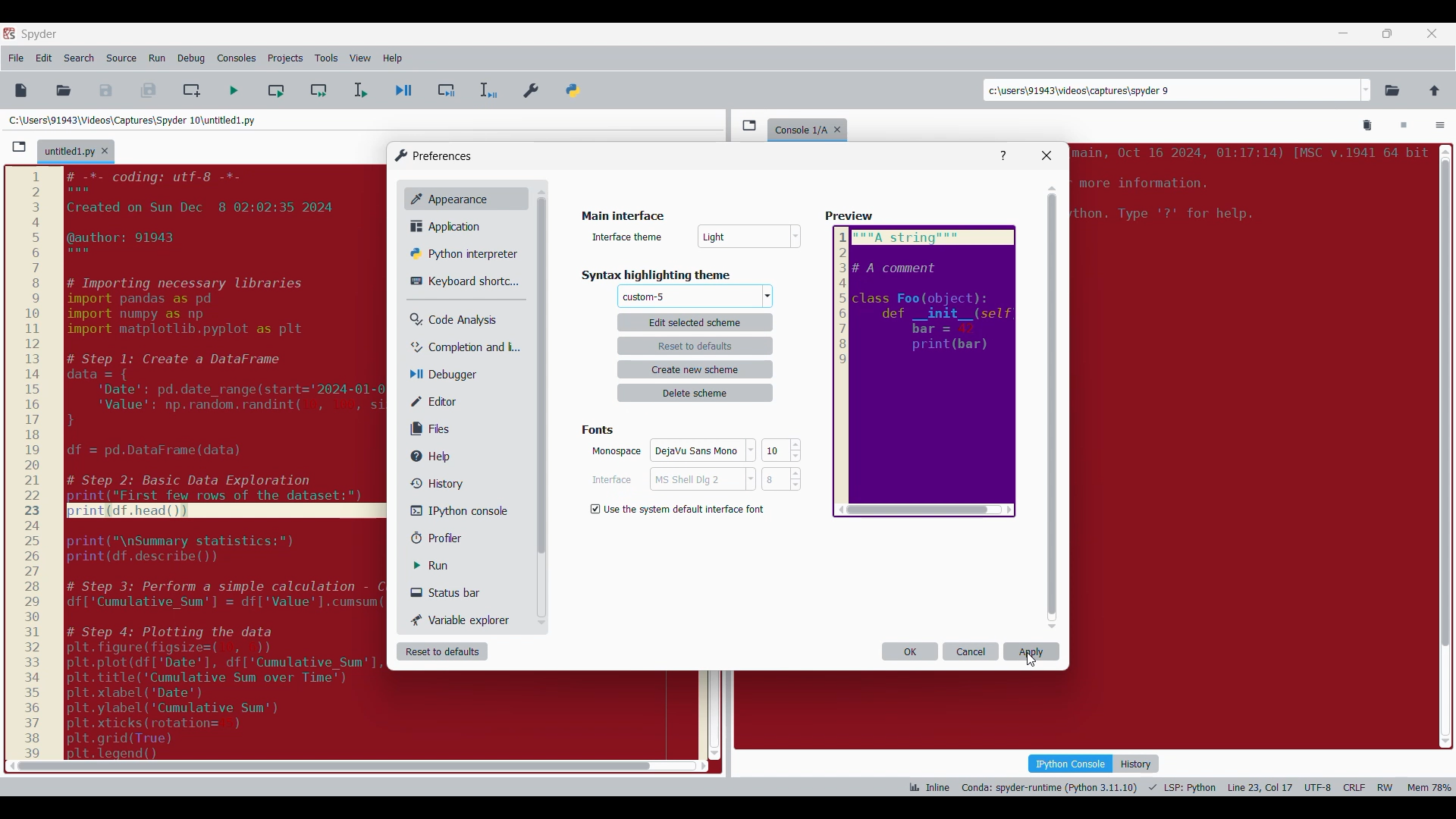 The image size is (1456, 819). What do you see at coordinates (1368, 126) in the screenshot?
I see `Remove all variables from namespace` at bounding box center [1368, 126].